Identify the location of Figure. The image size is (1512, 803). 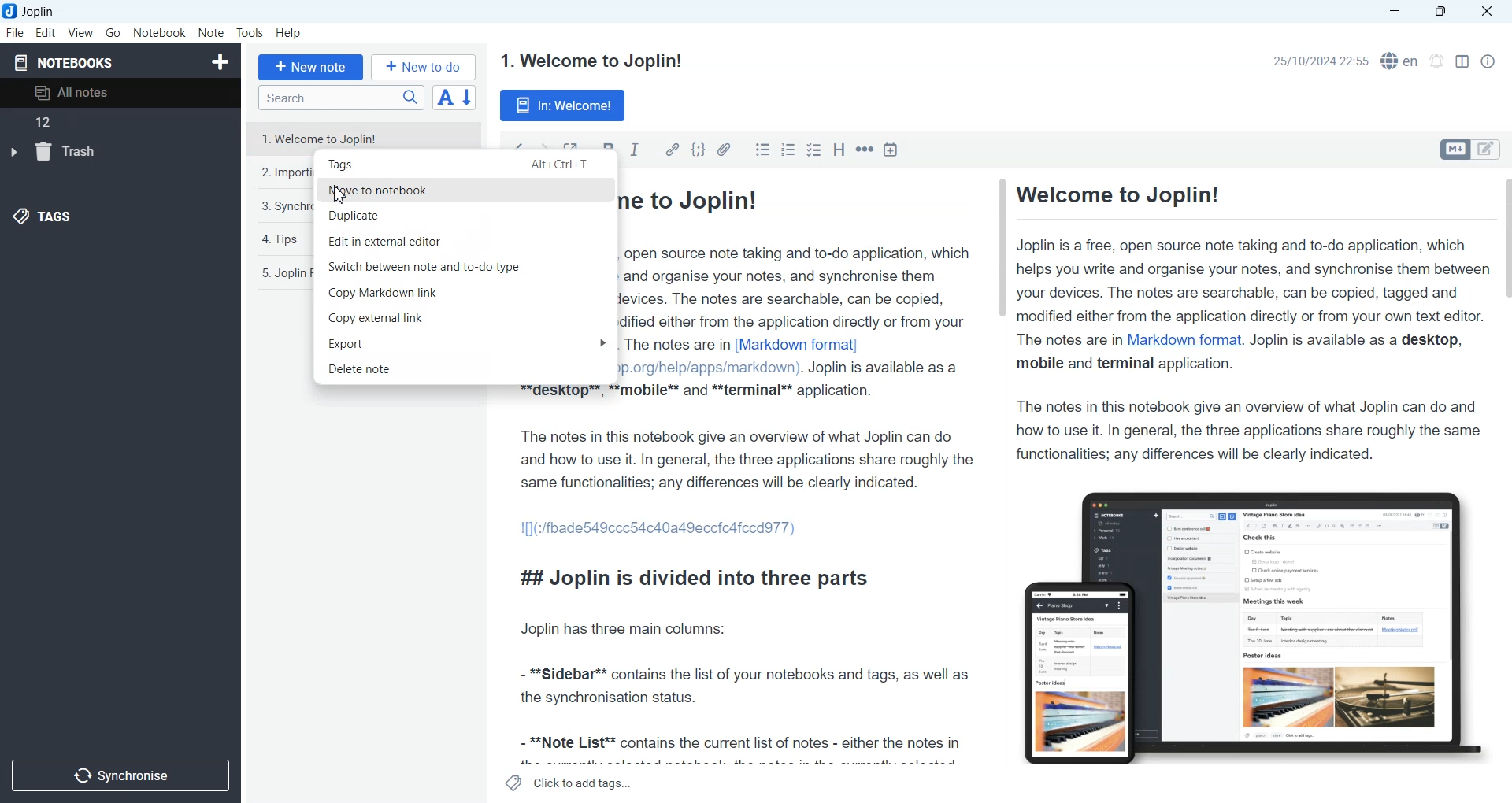
(1244, 620).